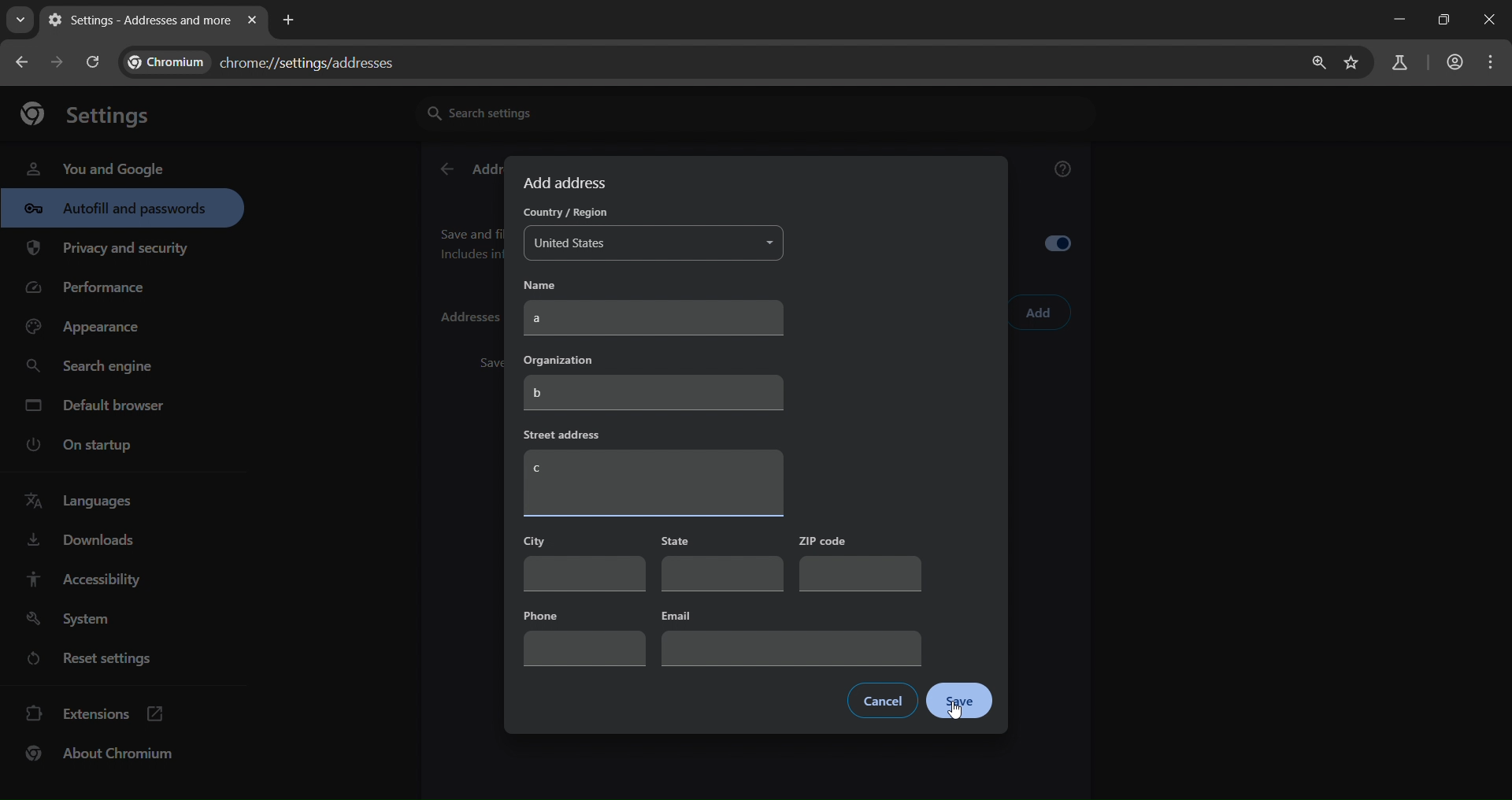 The height and width of the screenshot is (800, 1512). I want to click on downloads, so click(80, 543).